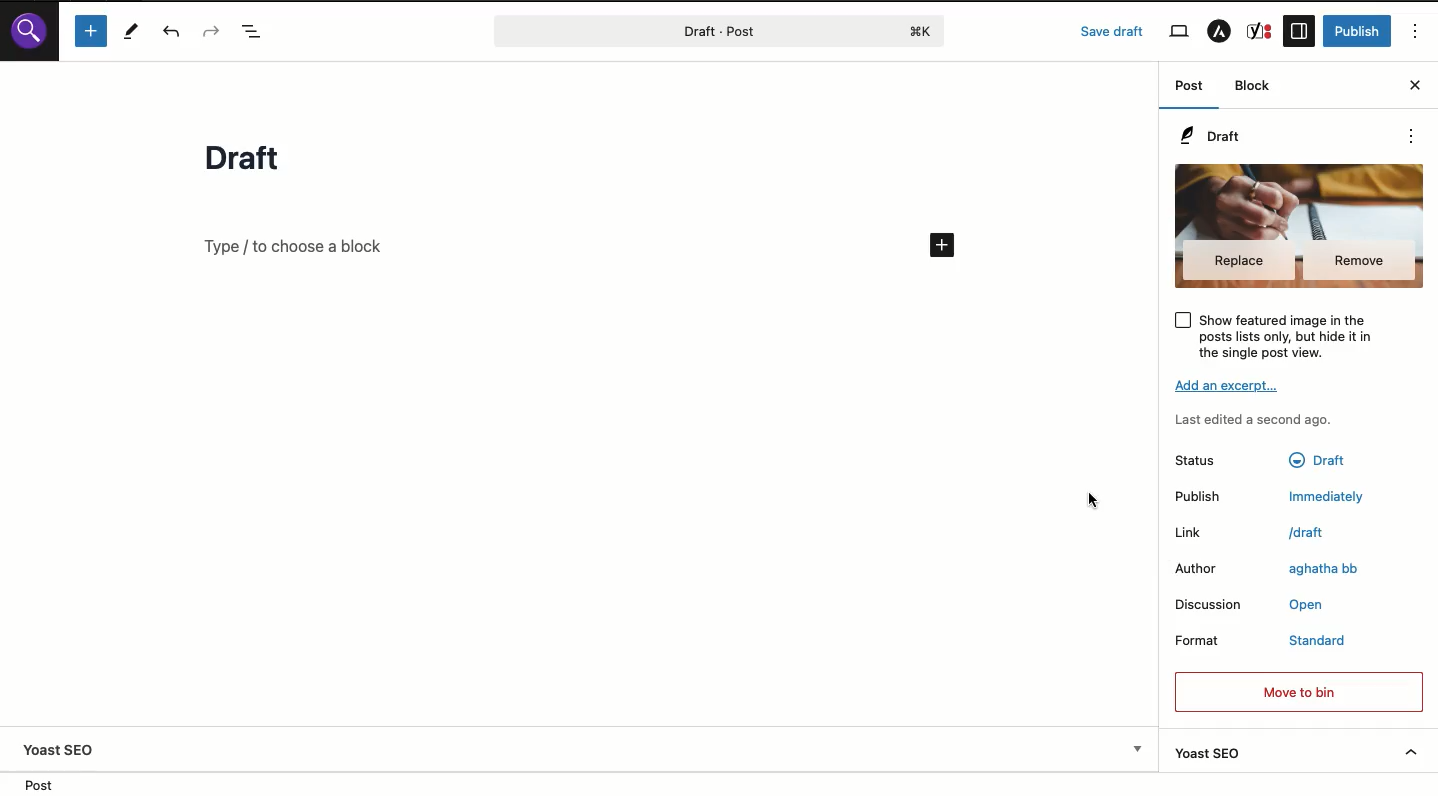 The image size is (1438, 796). What do you see at coordinates (1188, 89) in the screenshot?
I see `Post` at bounding box center [1188, 89].